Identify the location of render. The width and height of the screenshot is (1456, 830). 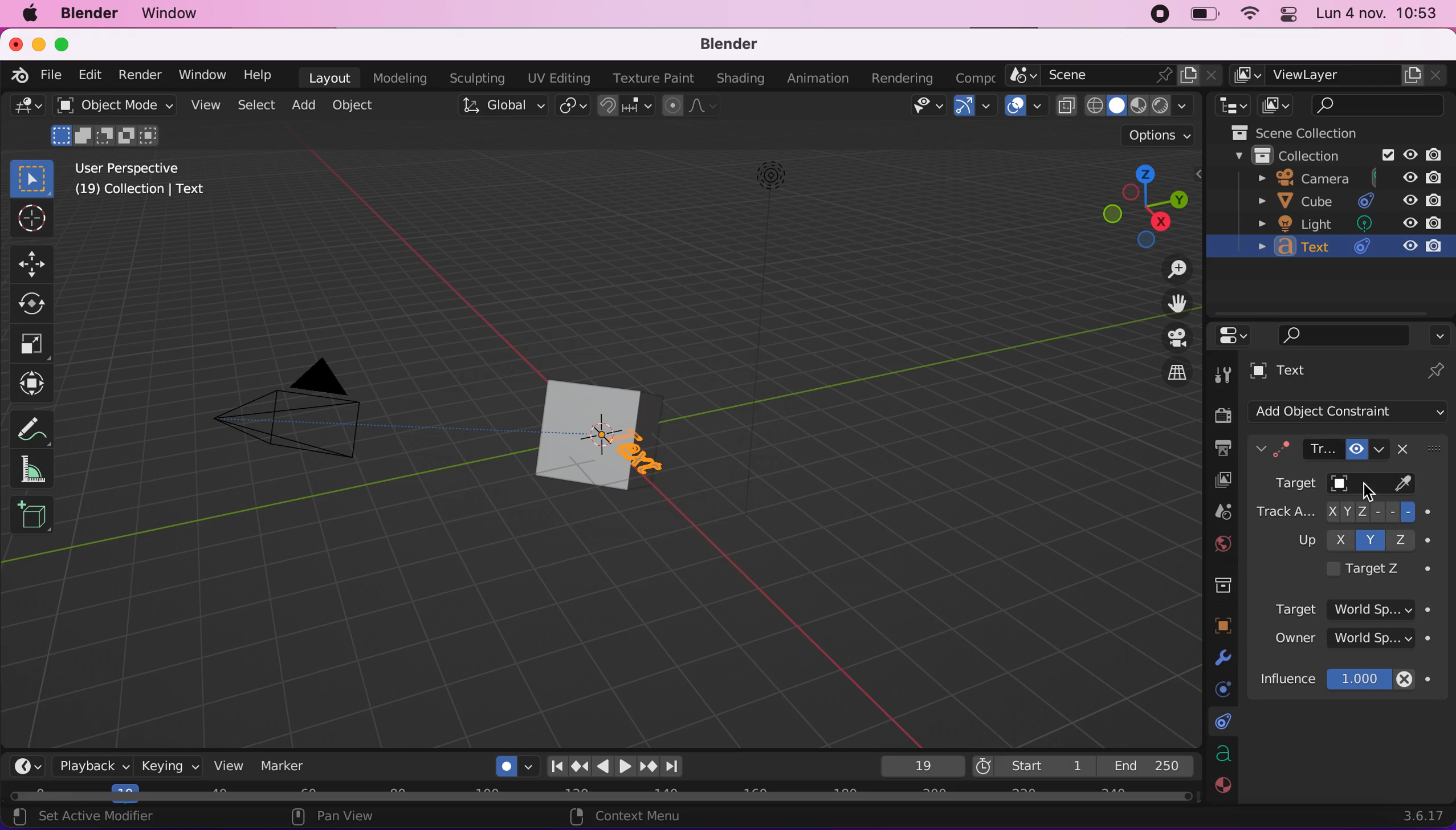
(1218, 410).